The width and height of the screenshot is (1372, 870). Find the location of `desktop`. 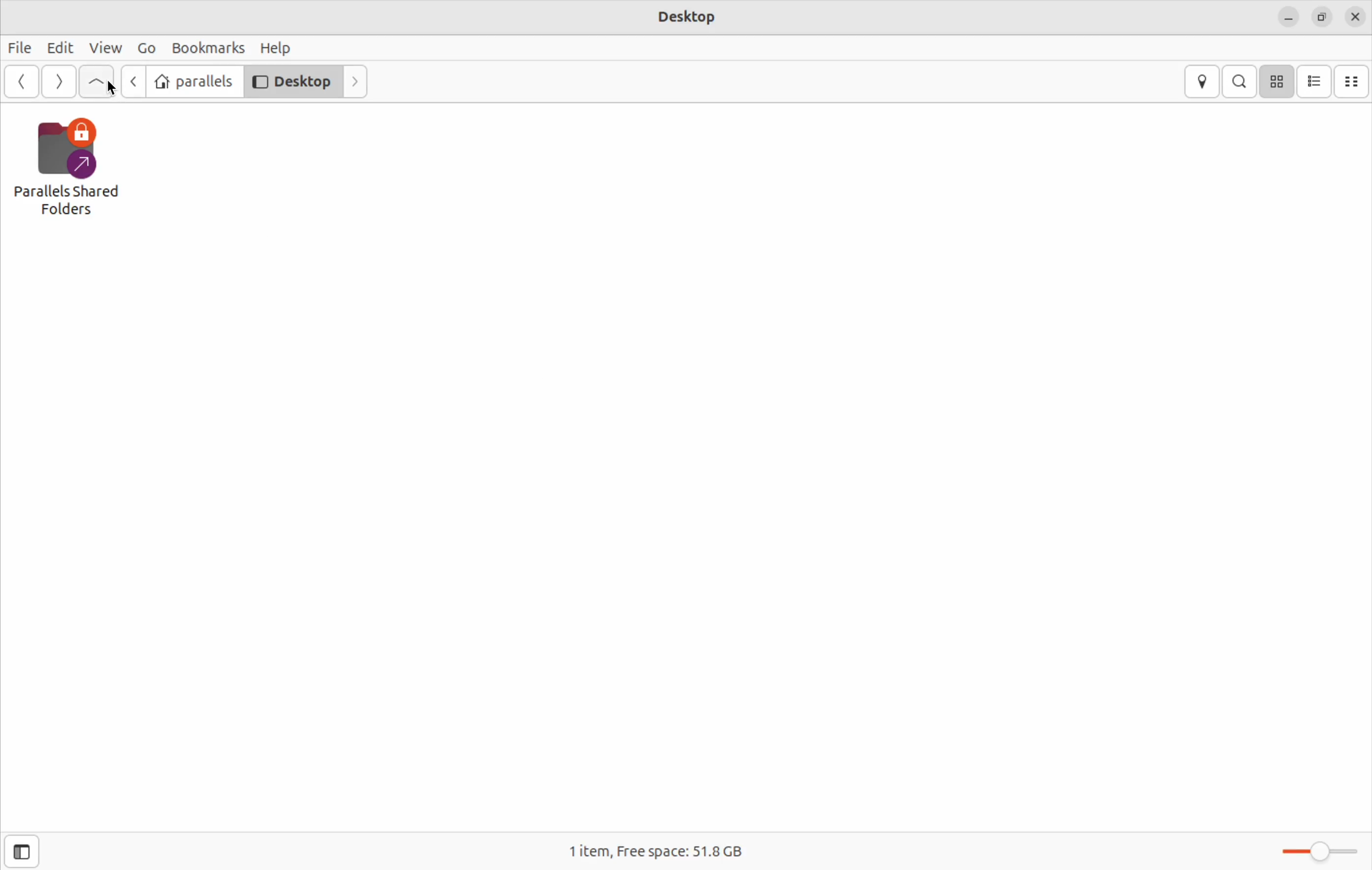

desktop is located at coordinates (685, 15).